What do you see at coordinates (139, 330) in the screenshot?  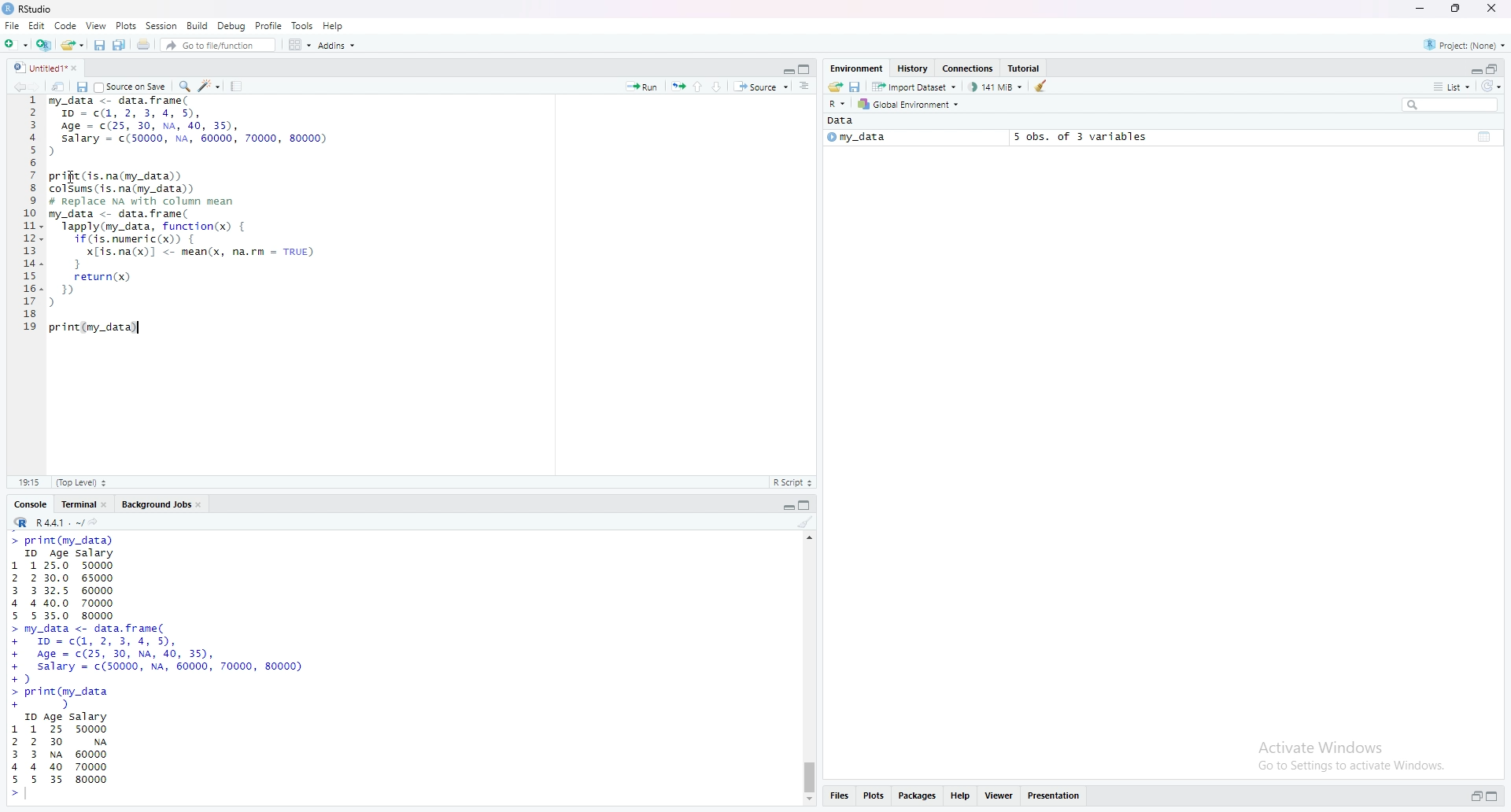 I see `text pointer` at bounding box center [139, 330].